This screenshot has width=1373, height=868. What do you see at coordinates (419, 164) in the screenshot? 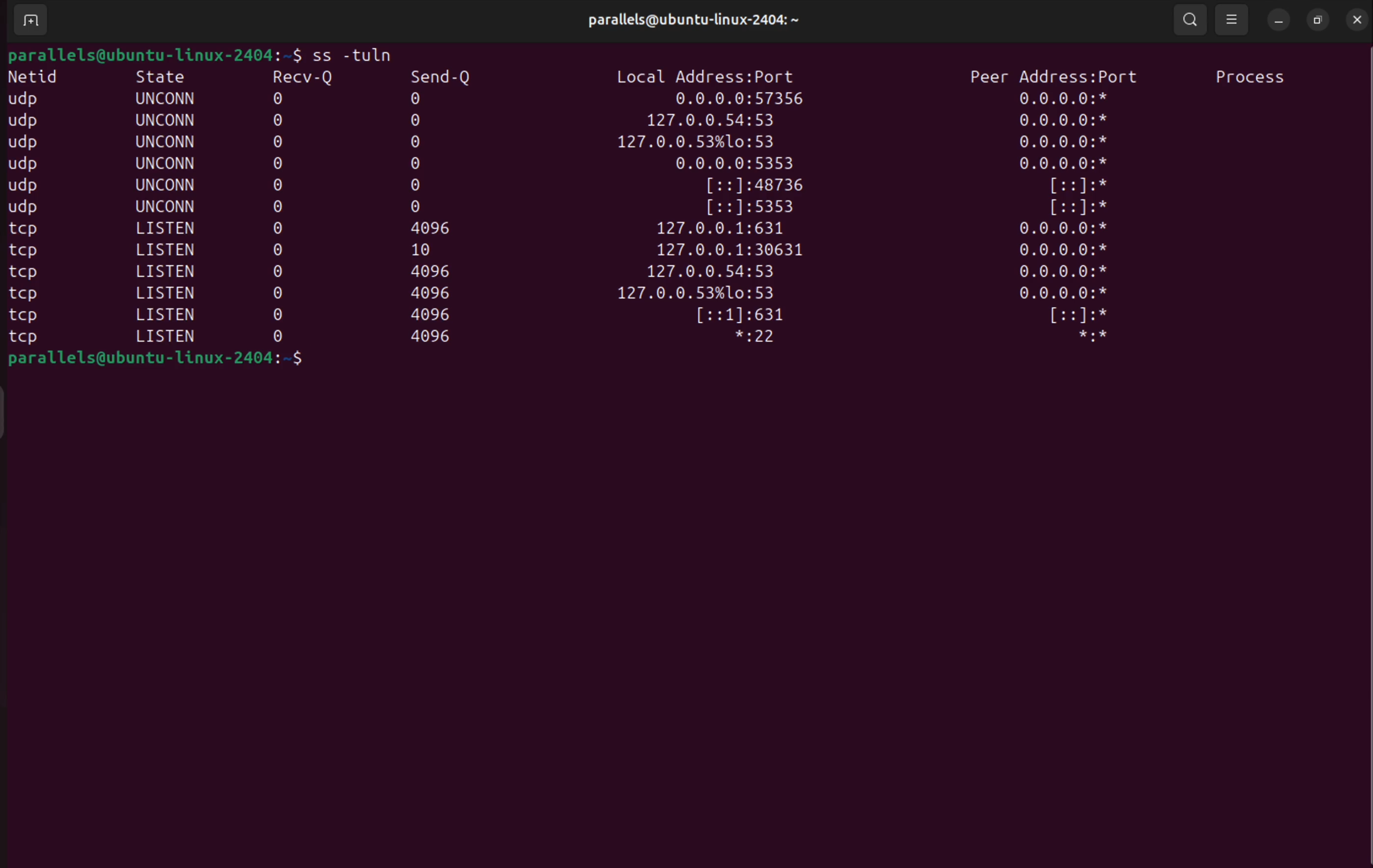
I see `0` at bounding box center [419, 164].